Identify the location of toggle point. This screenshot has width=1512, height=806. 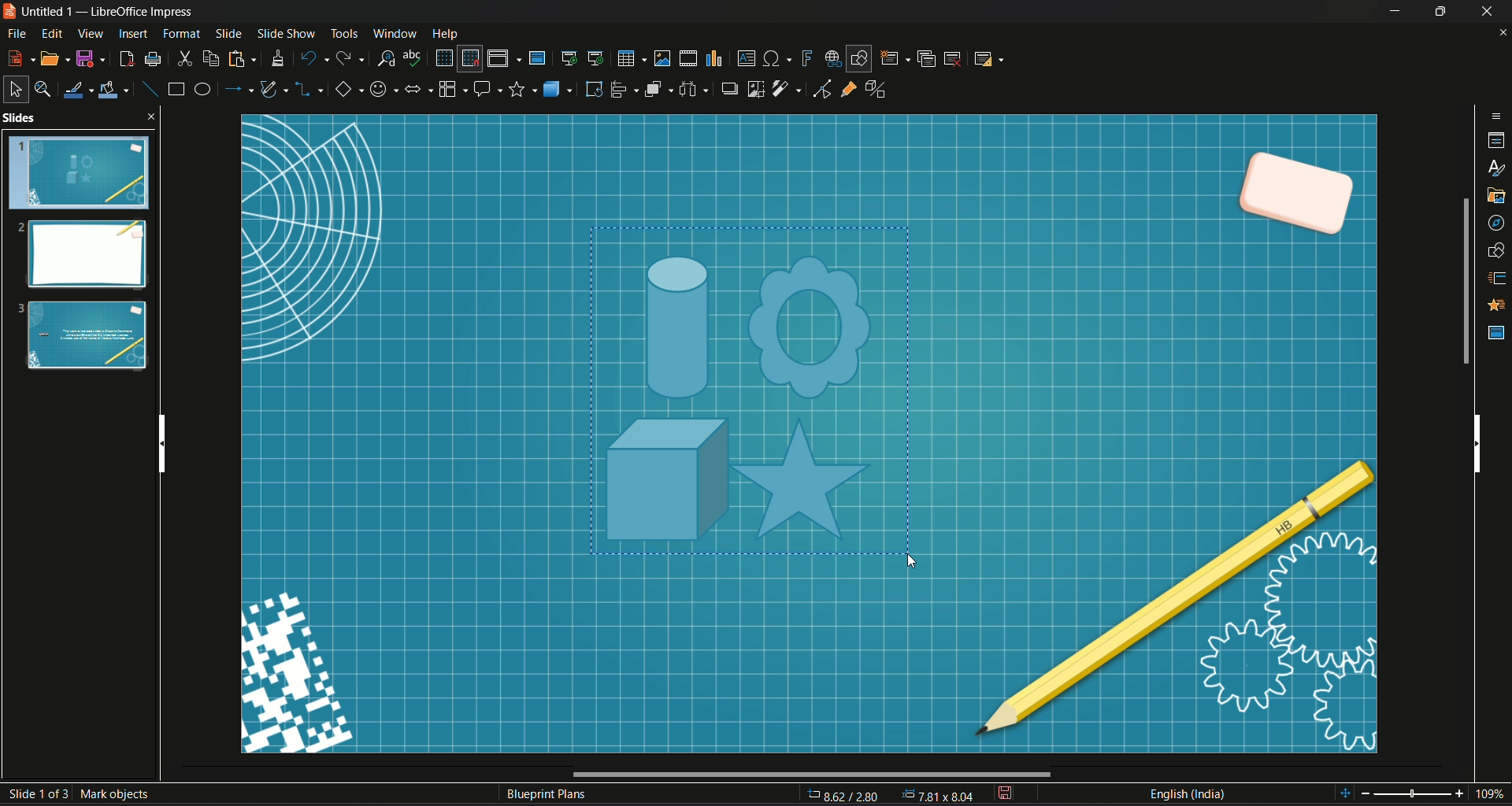
(820, 91).